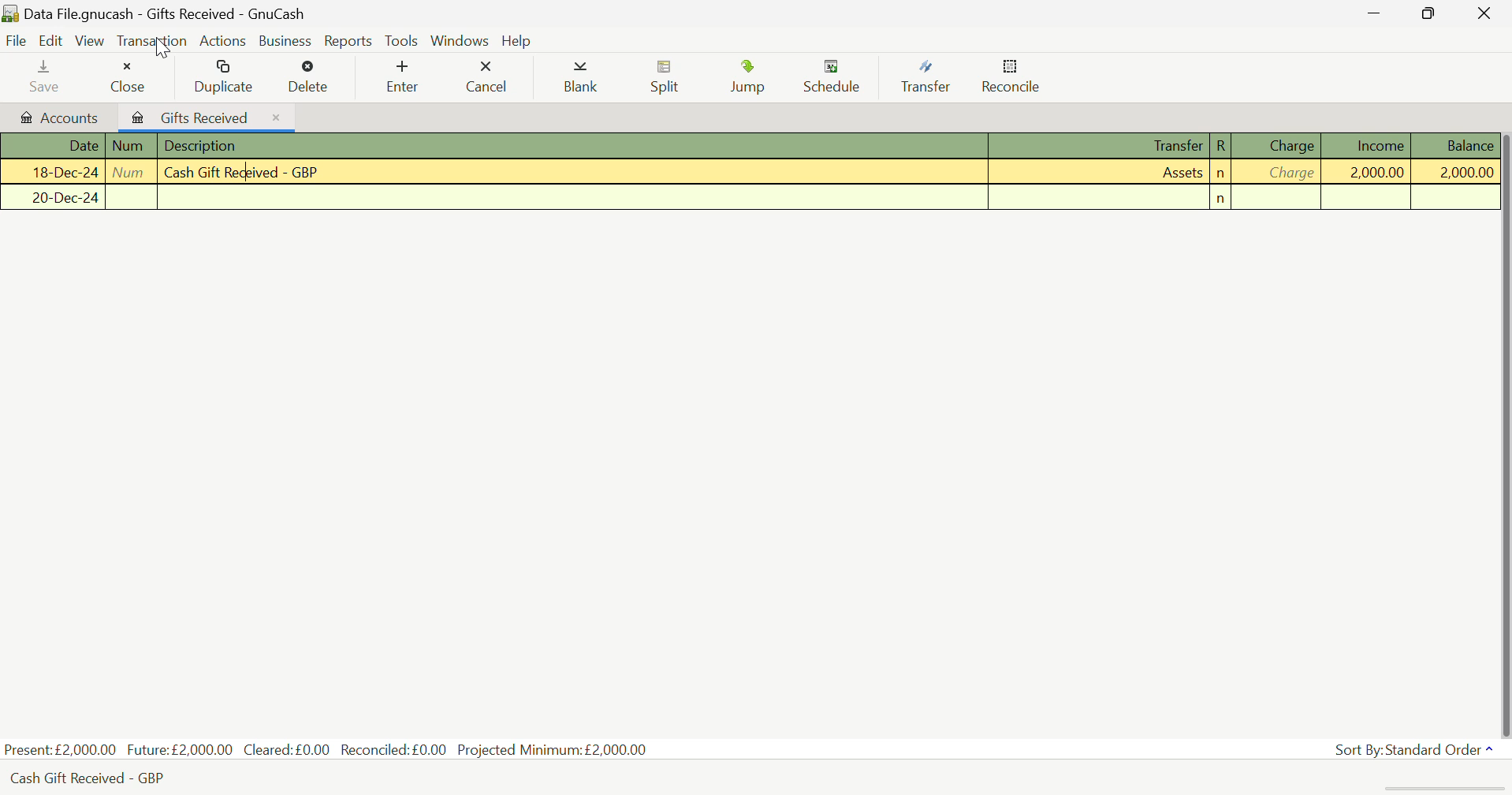  I want to click on Enter, so click(401, 77).